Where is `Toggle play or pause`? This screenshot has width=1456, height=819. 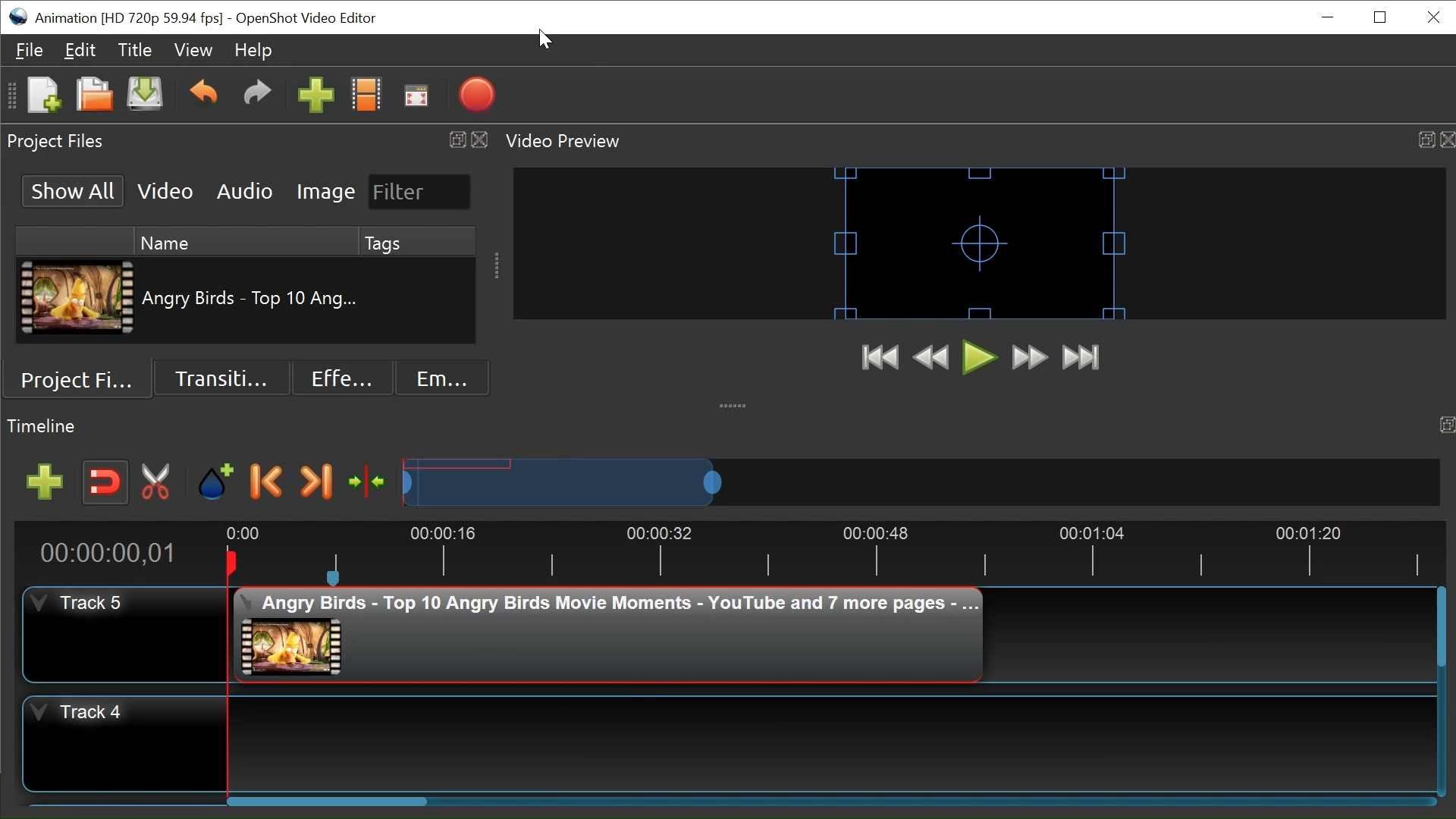 Toggle play or pause is located at coordinates (982, 359).